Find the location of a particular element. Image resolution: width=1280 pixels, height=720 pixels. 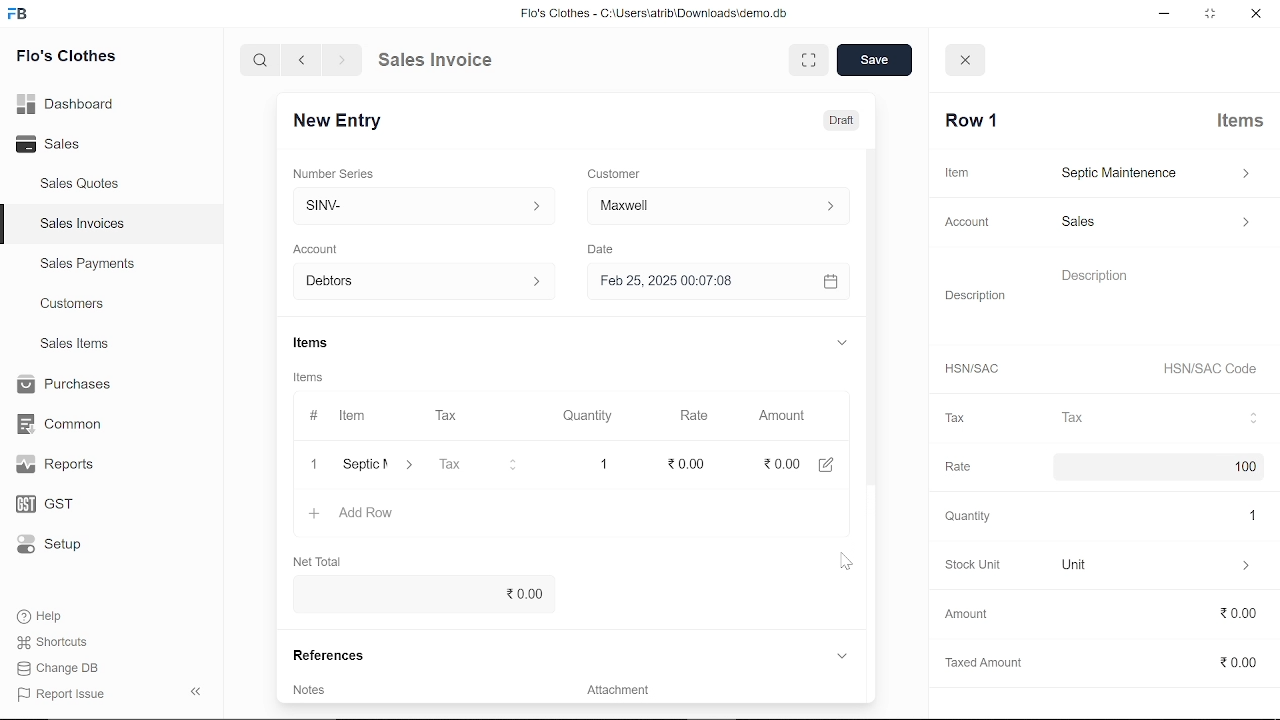

+ Add Row is located at coordinates (357, 514).